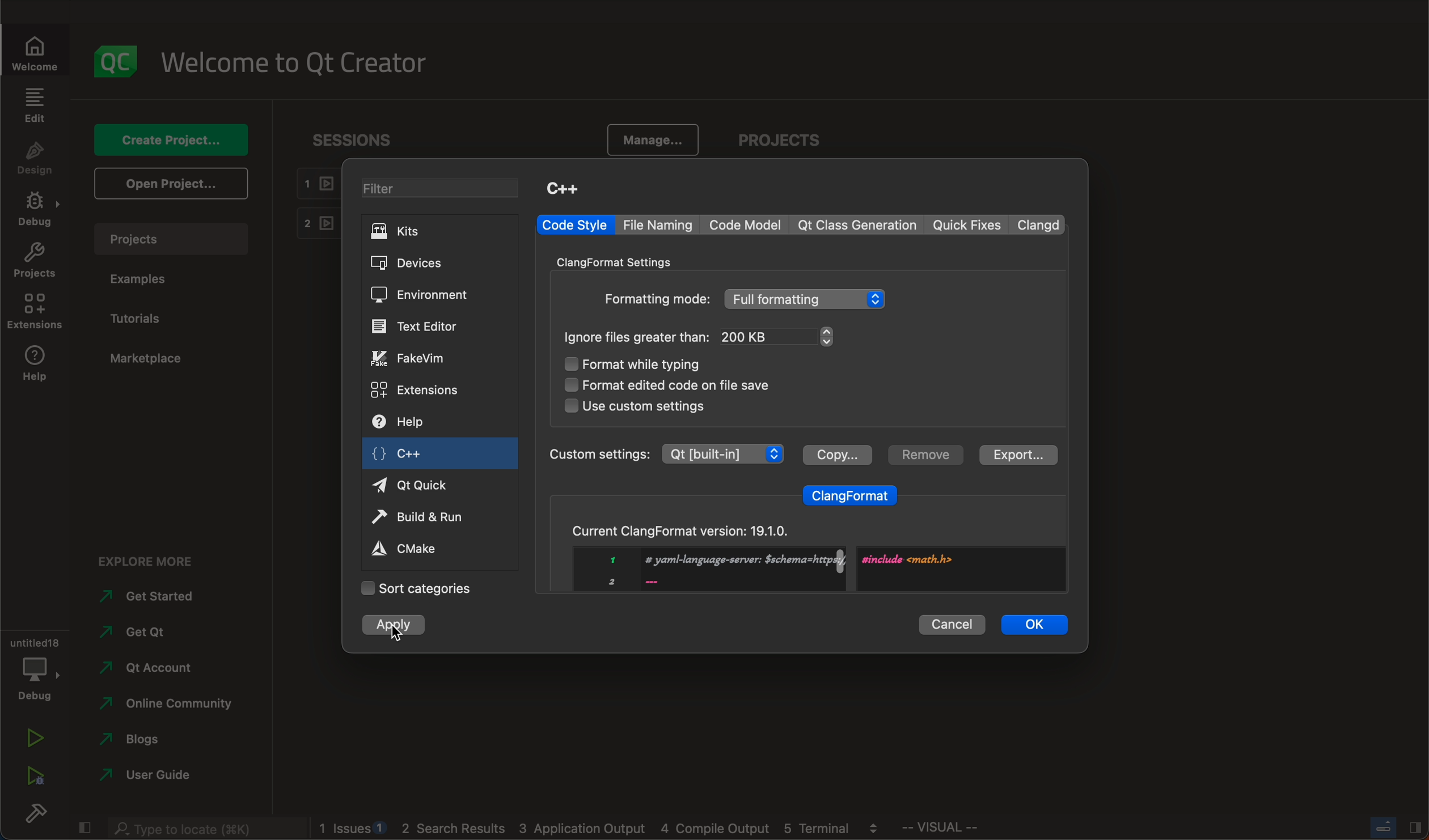 This screenshot has width=1429, height=840. I want to click on extensions, so click(417, 389).